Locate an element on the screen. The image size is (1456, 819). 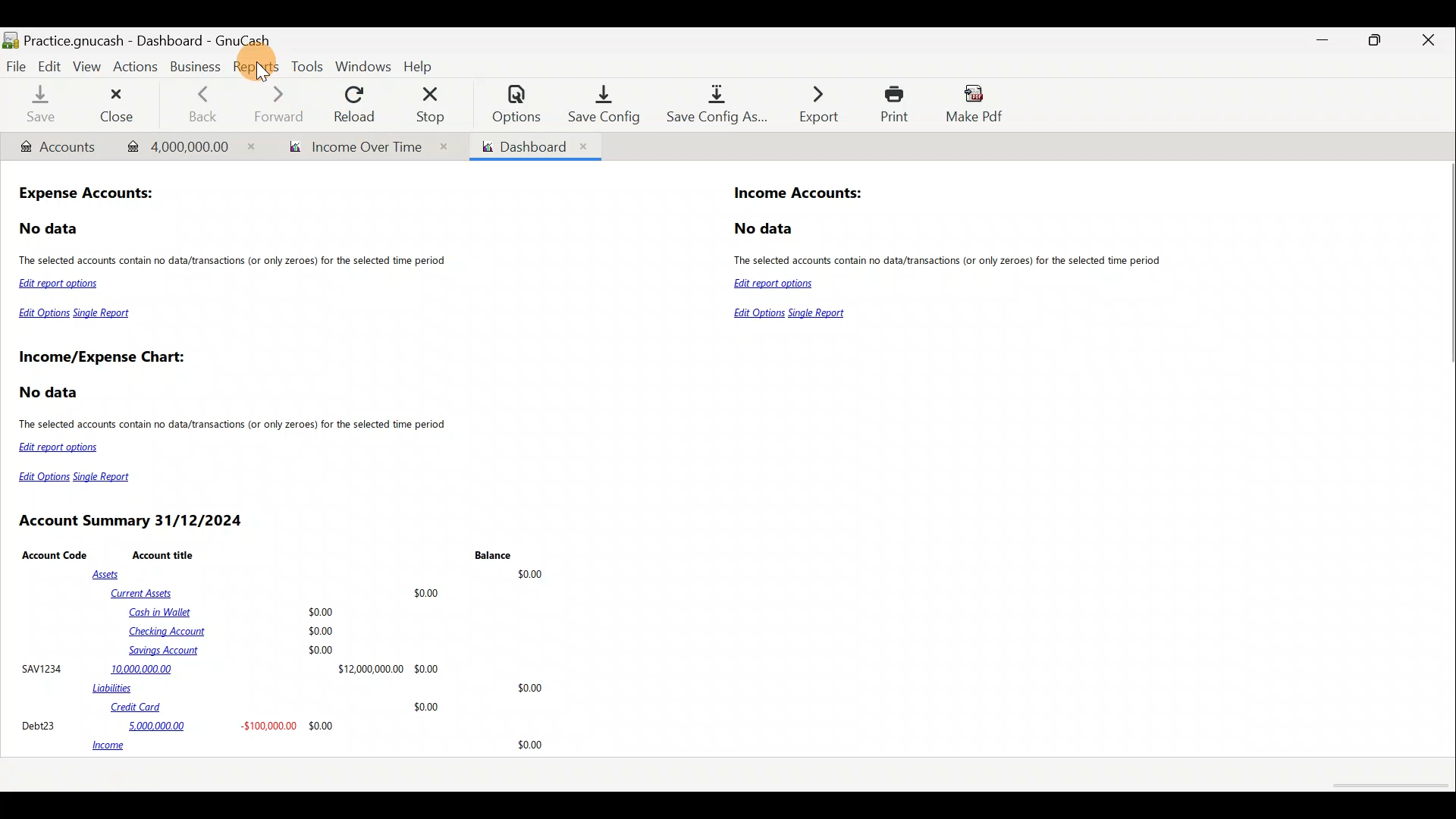
Save config is located at coordinates (598, 104).